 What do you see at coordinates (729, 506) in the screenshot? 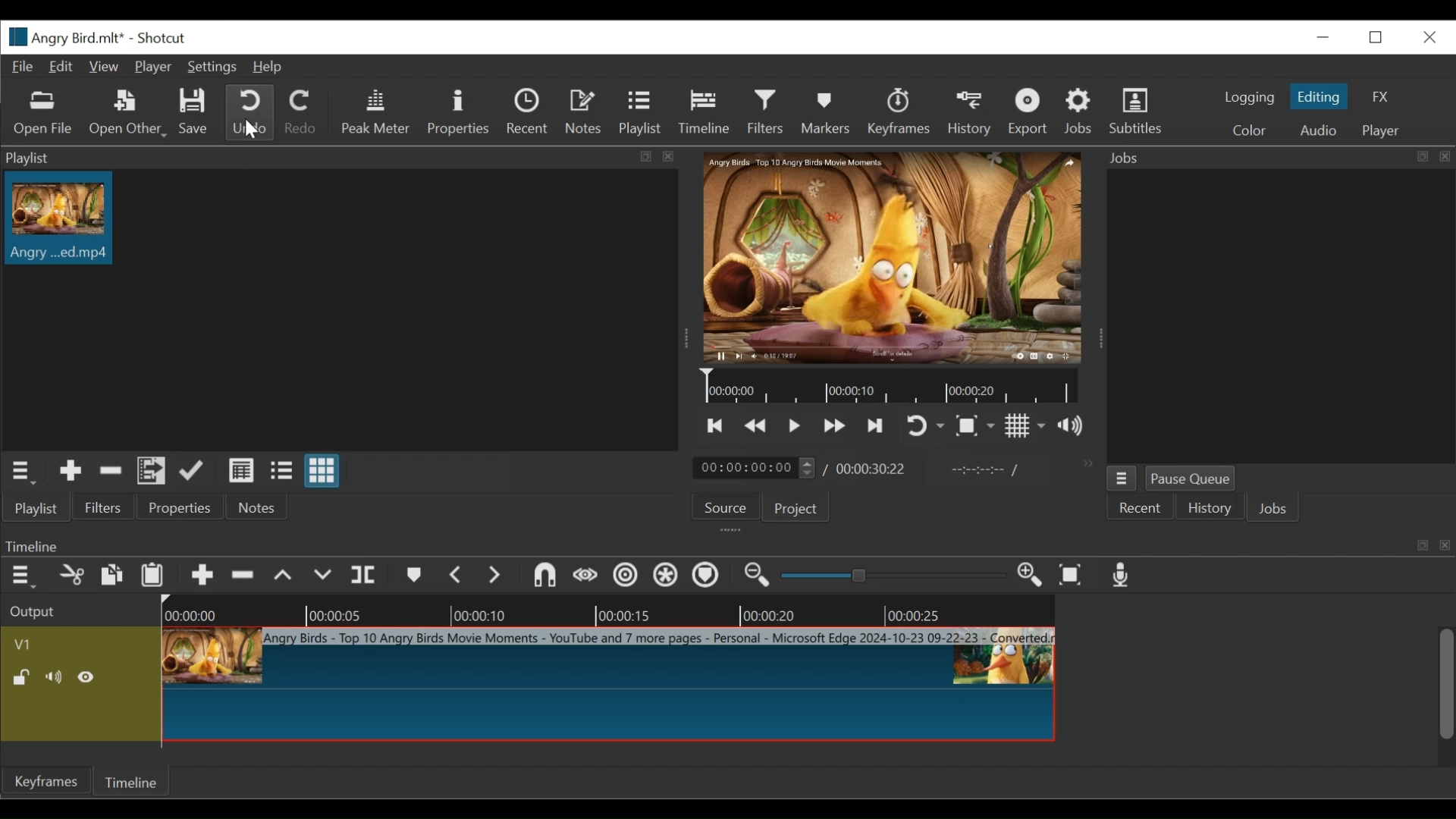
I see `Source` at bounding box center [729, 506].